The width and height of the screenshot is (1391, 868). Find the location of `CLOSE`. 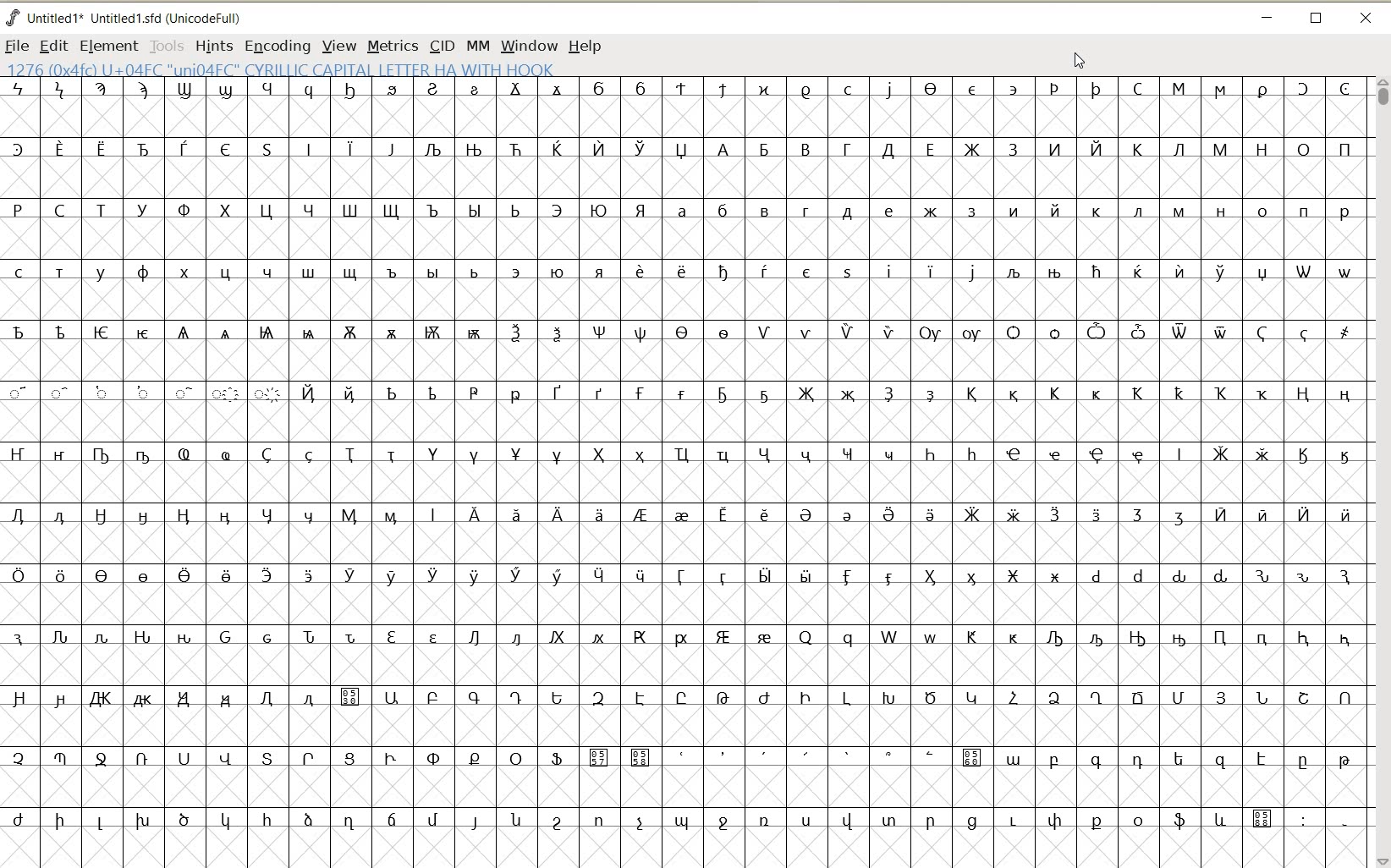

CLOSE is located at coordinates (1369, 19).